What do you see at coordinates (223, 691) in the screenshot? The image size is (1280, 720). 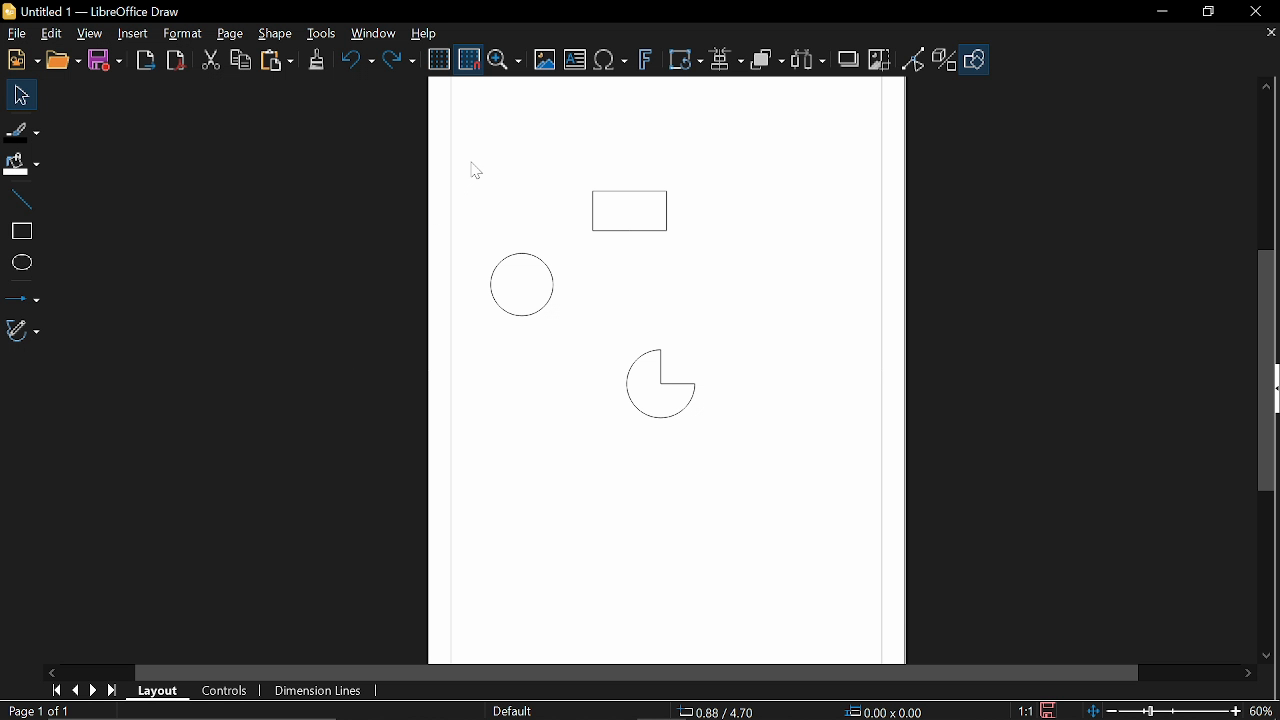 I see `COntrols` at bounding box center [223, 691].